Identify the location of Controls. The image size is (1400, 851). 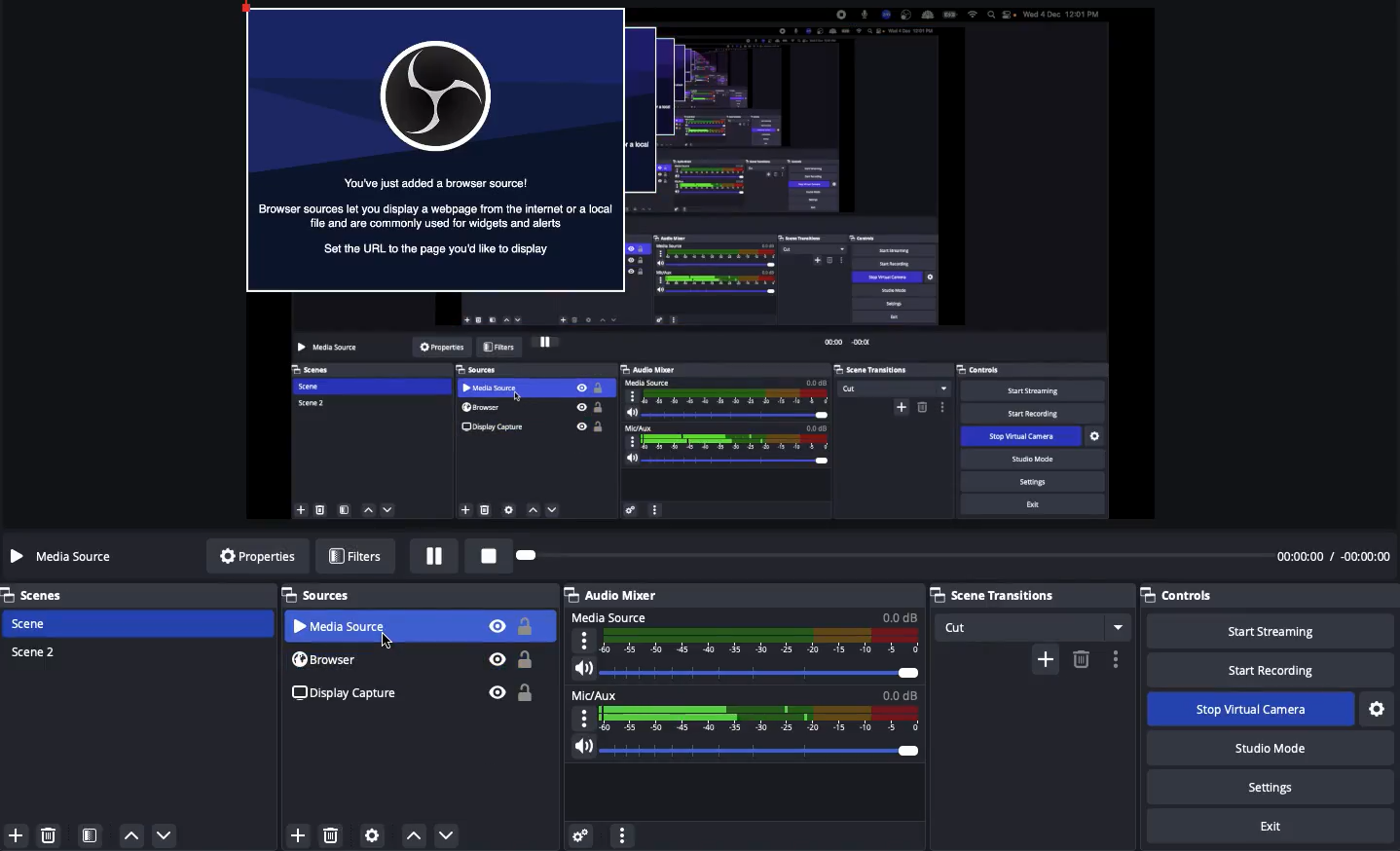
(1188, 596).